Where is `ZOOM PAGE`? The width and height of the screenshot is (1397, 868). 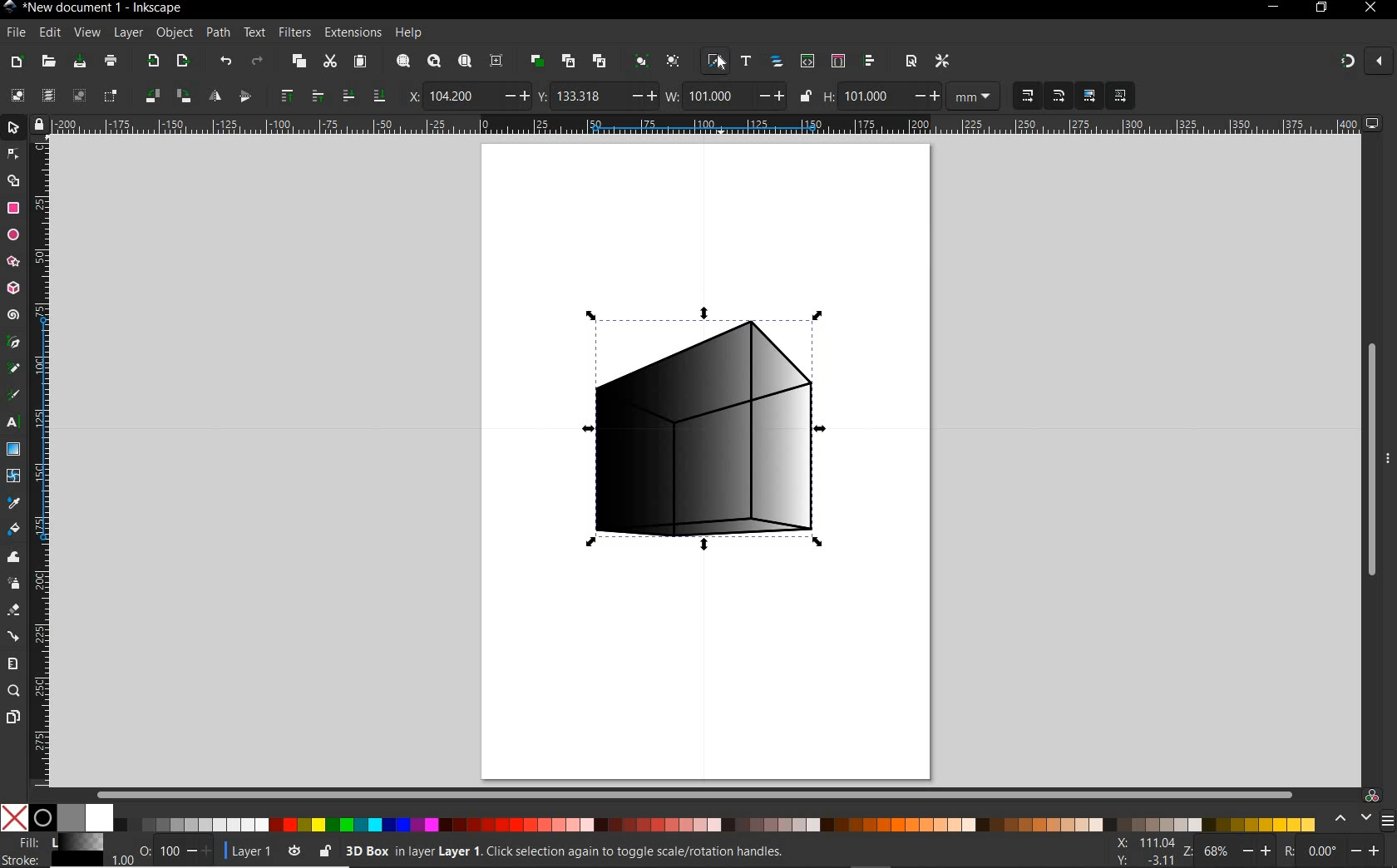
ZOOM PAGE is located at coordinates (466, 62).